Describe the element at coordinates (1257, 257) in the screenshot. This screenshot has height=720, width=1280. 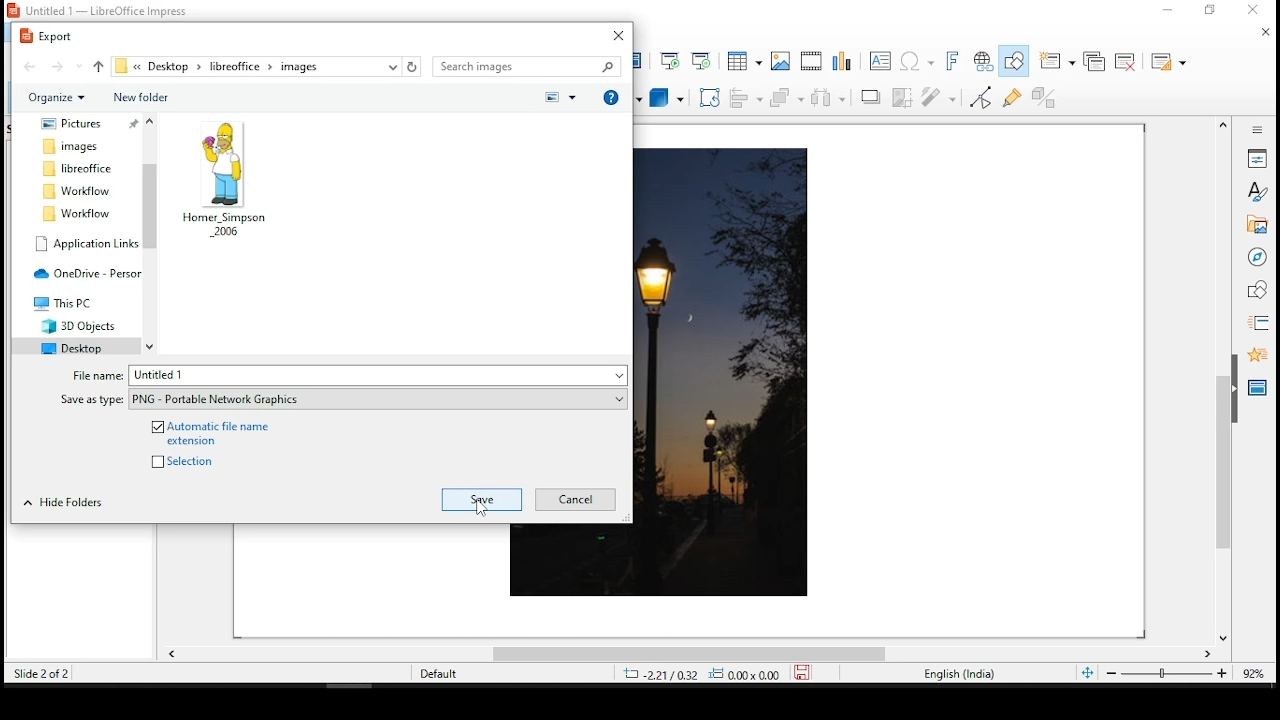
I see `navigator` at that location.